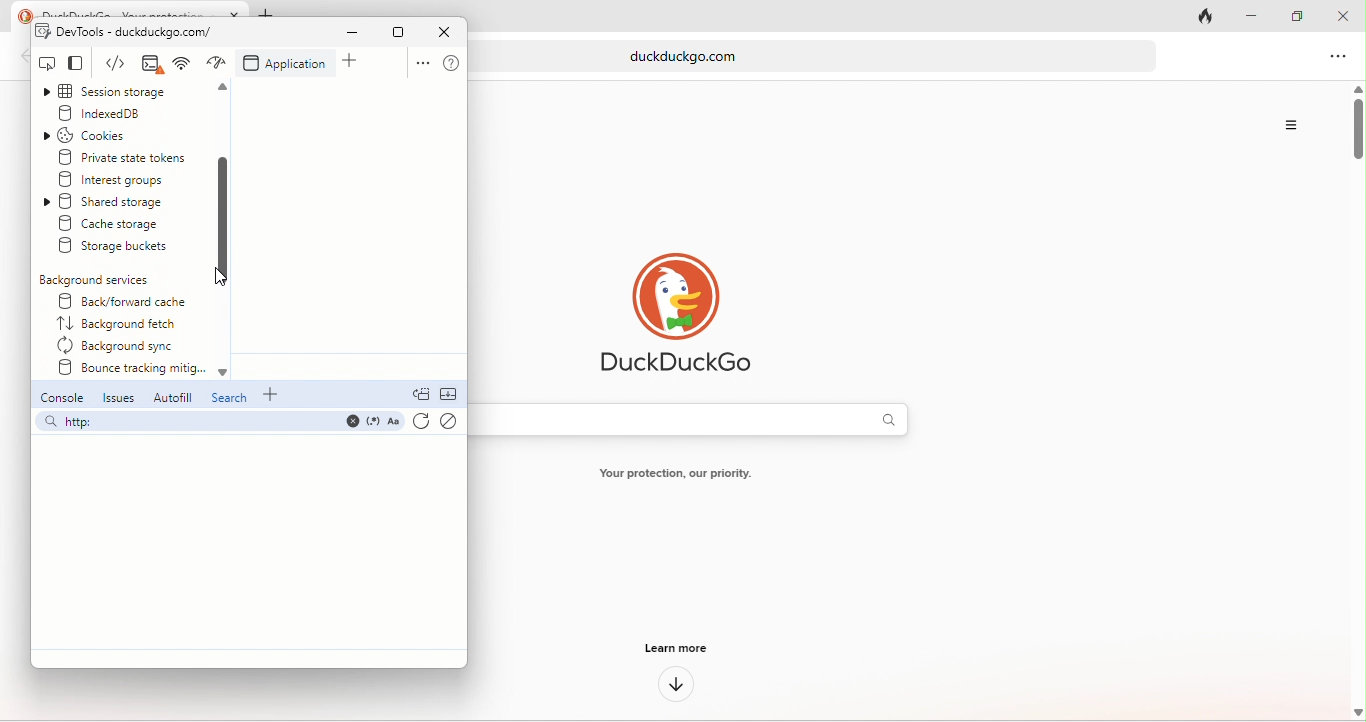 The height and width of the screenshot is (722, 1366). Describe the element at coordinates (421, 395) in the screenshot. I see `doc quick view` at that location.